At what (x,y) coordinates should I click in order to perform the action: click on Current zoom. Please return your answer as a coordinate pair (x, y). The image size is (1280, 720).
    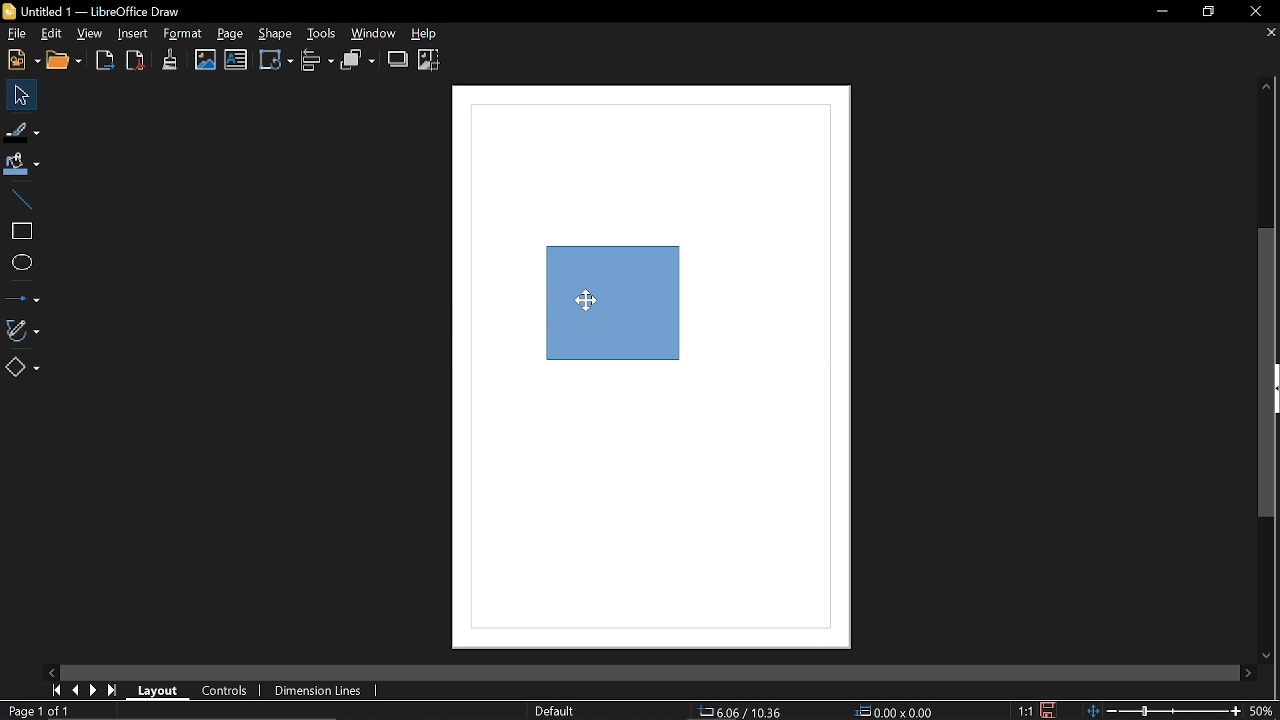
    Looking at the image, I should click on (1165, 712).